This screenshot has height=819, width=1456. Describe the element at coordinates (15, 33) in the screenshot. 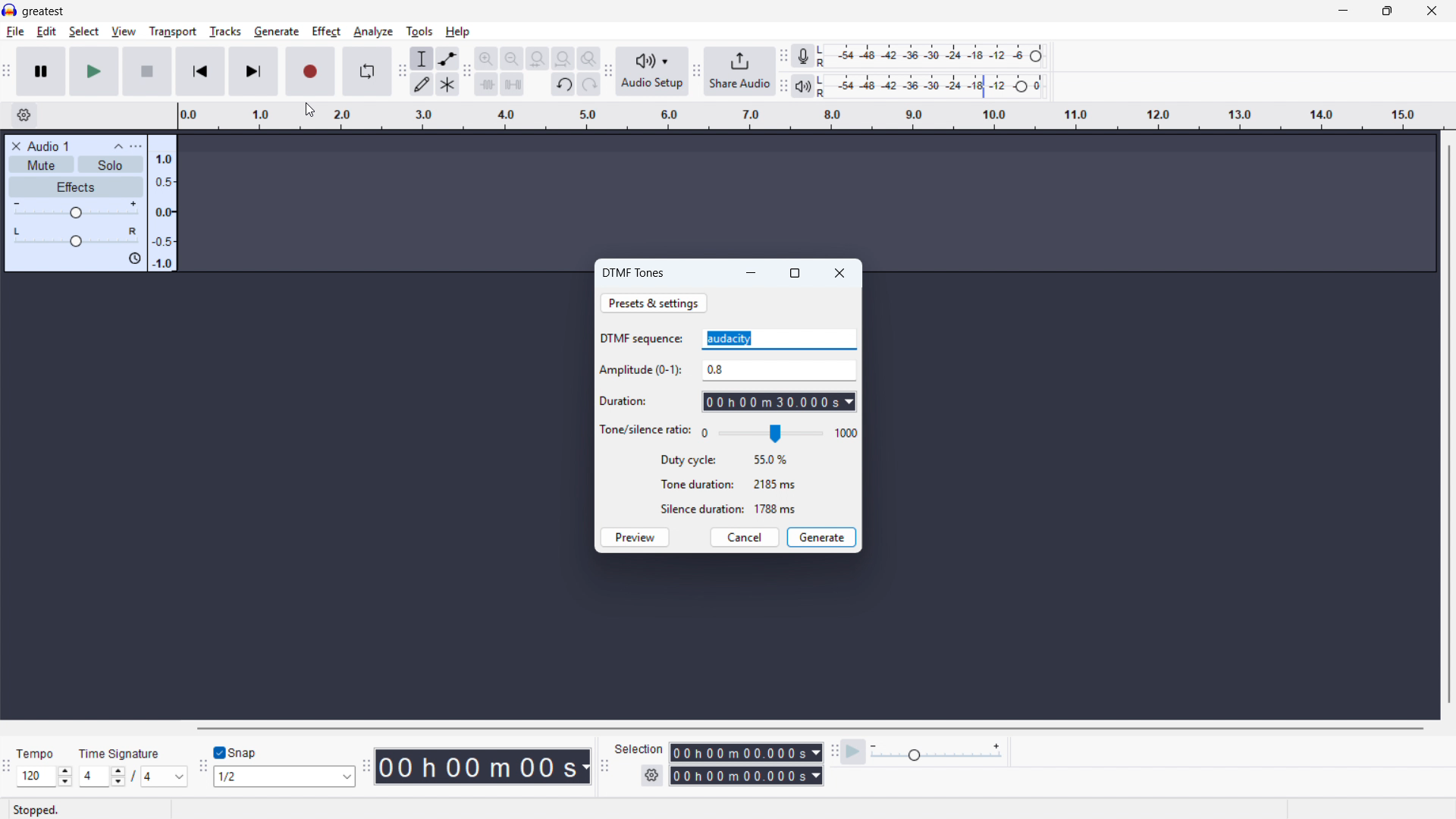

I see `file` at that location.